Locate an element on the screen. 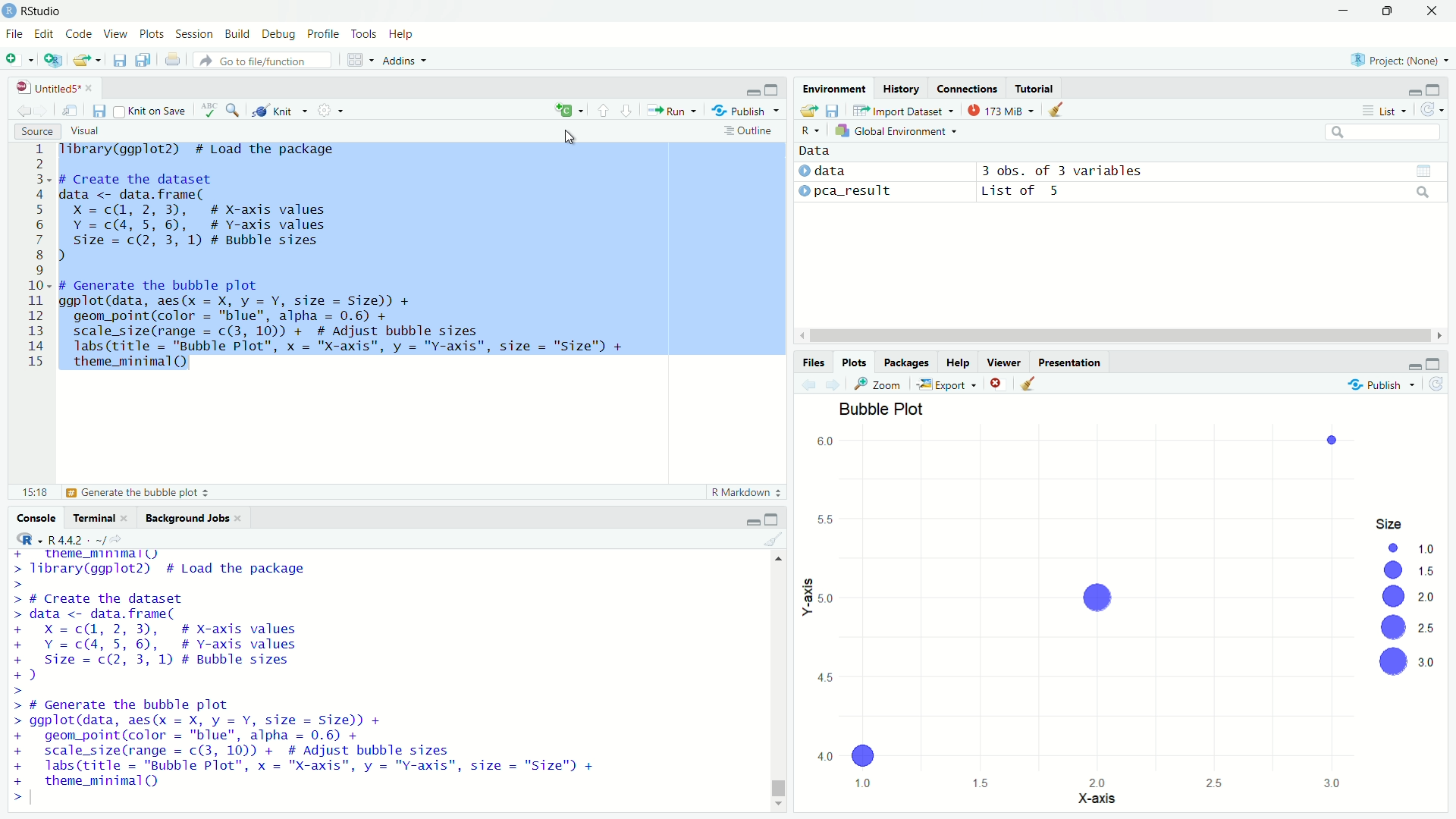 Image resolution: width=1456 pixels, height=819 pixels. plots is located at coordinates (152, 36).